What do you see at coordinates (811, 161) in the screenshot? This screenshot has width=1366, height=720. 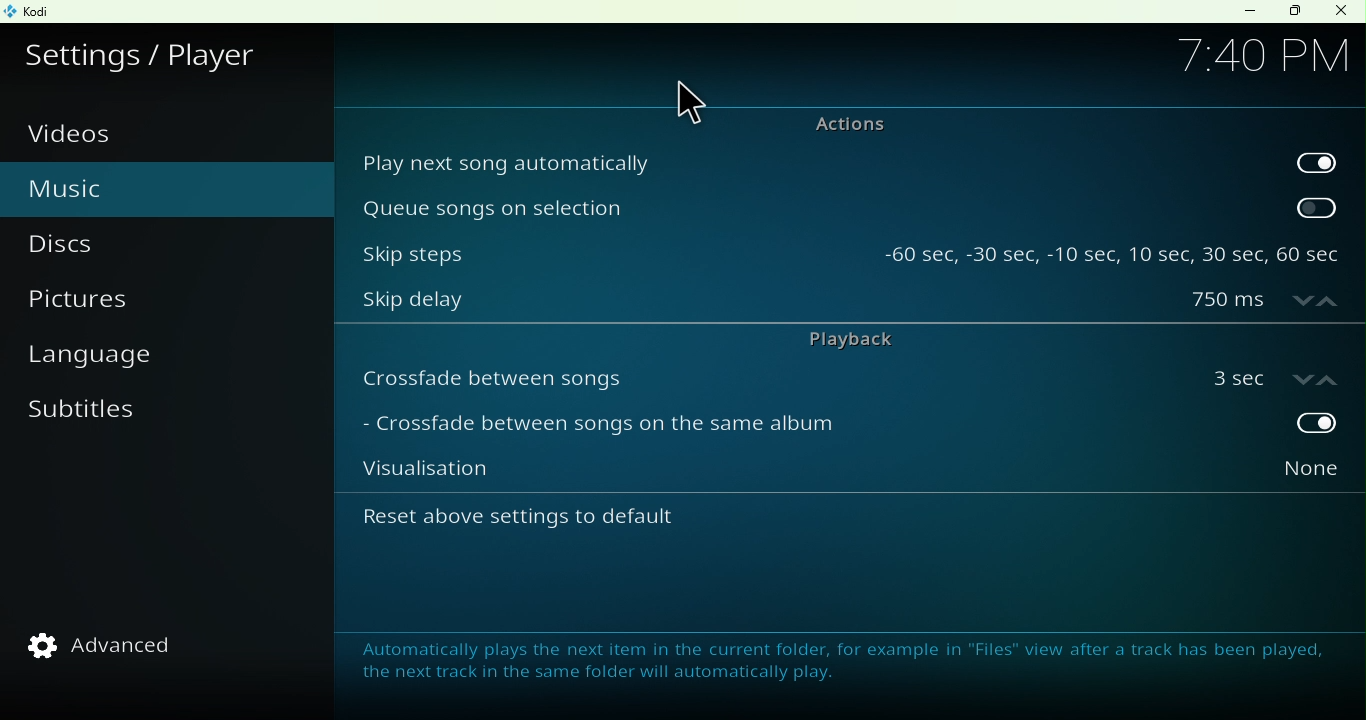 I see `Play next song automatically` at bounding box center [811, 161].